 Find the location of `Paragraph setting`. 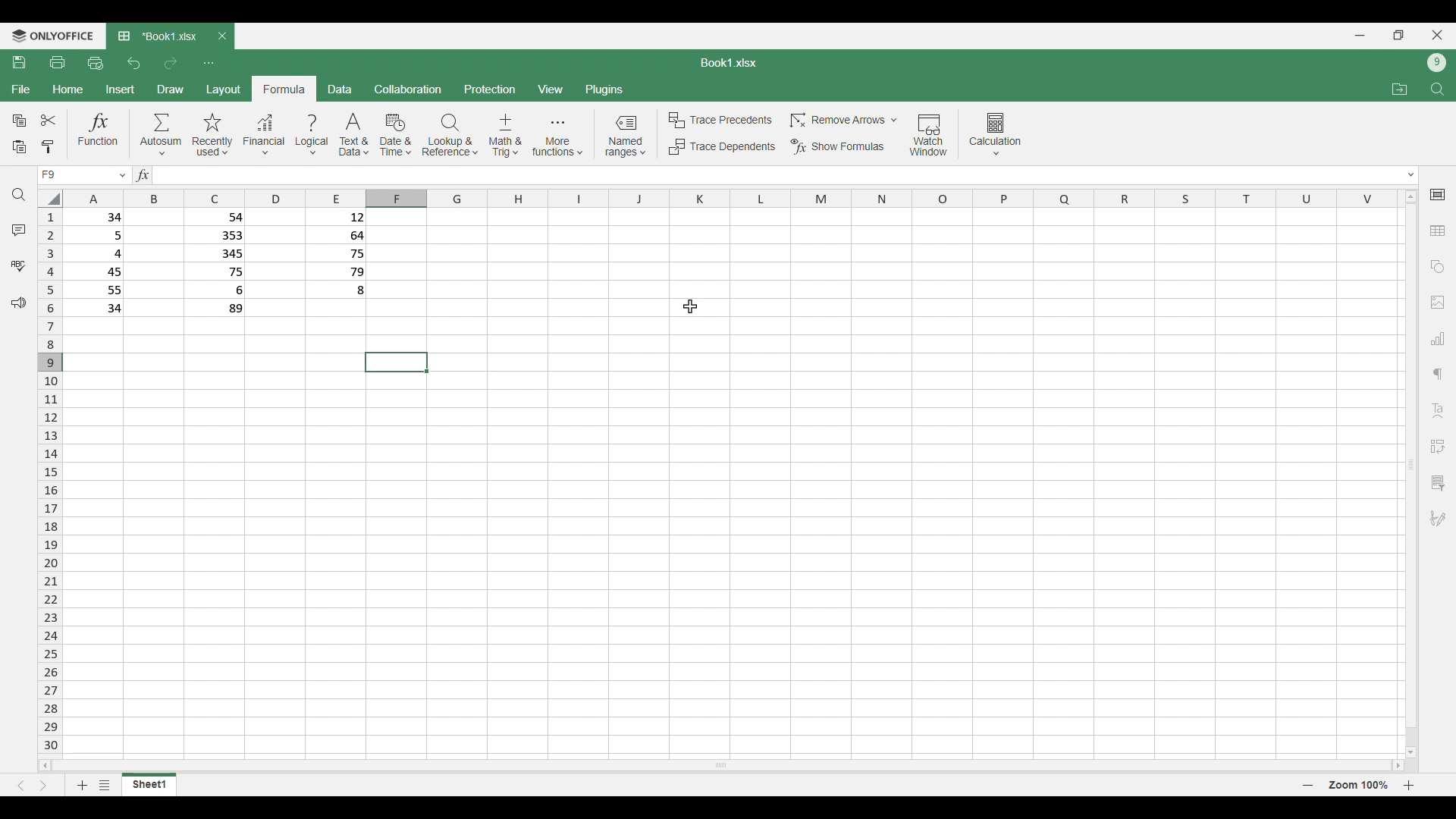

Paragraph setting is located at coordinates (1439, 375).